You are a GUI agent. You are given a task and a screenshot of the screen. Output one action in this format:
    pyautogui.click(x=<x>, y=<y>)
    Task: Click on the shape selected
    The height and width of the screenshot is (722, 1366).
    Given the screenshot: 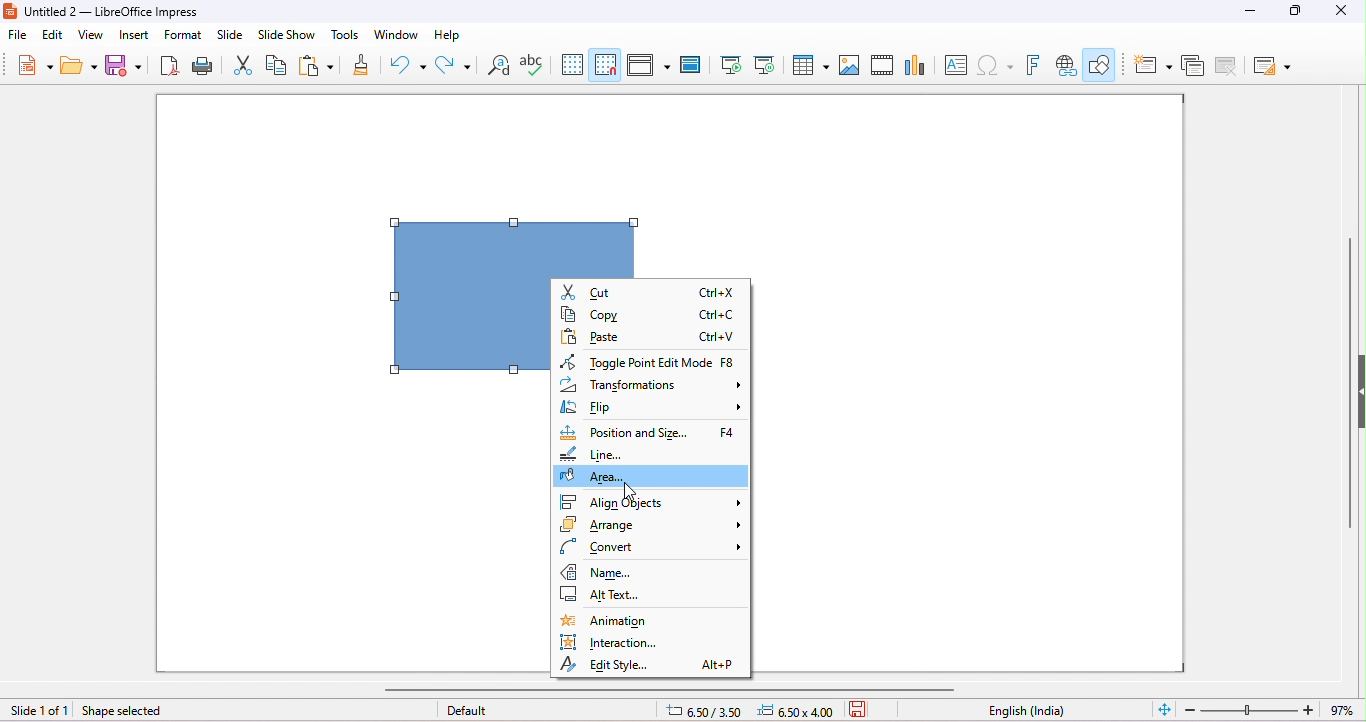 What is the action you would take?
    pyautogui.click(x=133, y=711)
    